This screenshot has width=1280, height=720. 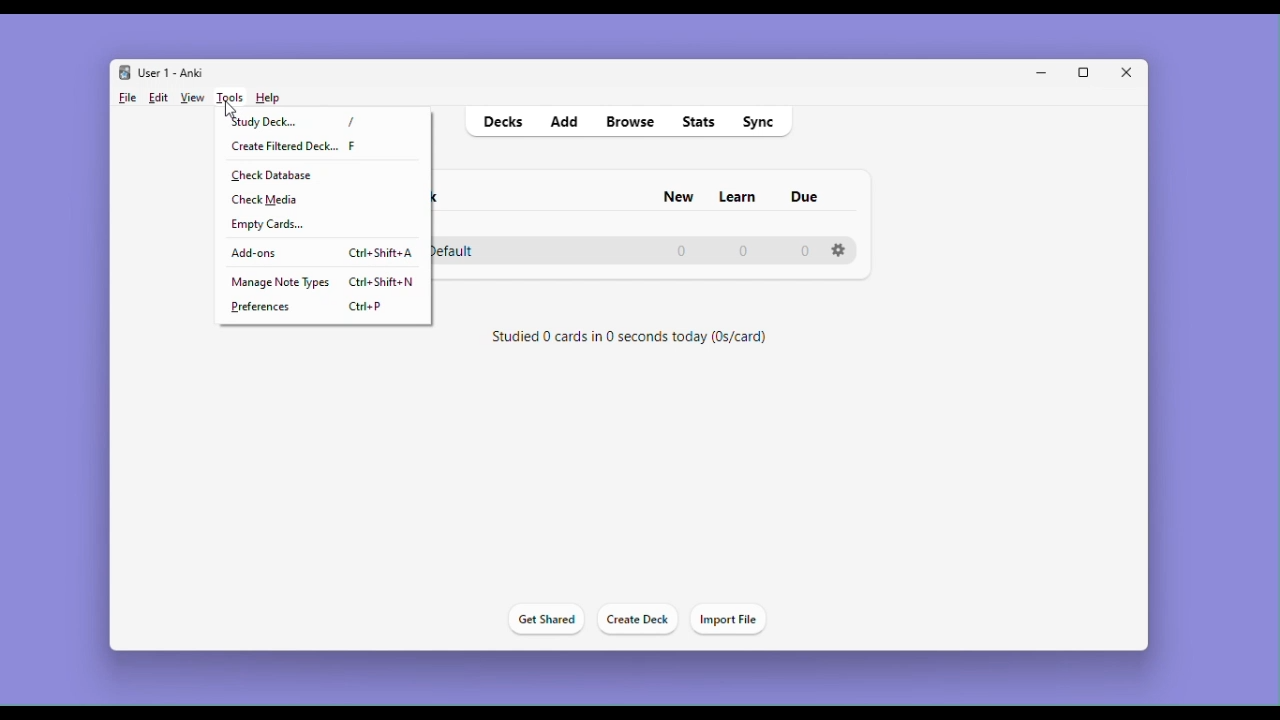 I want to click on Add-ons, so click(x=255, y=255).